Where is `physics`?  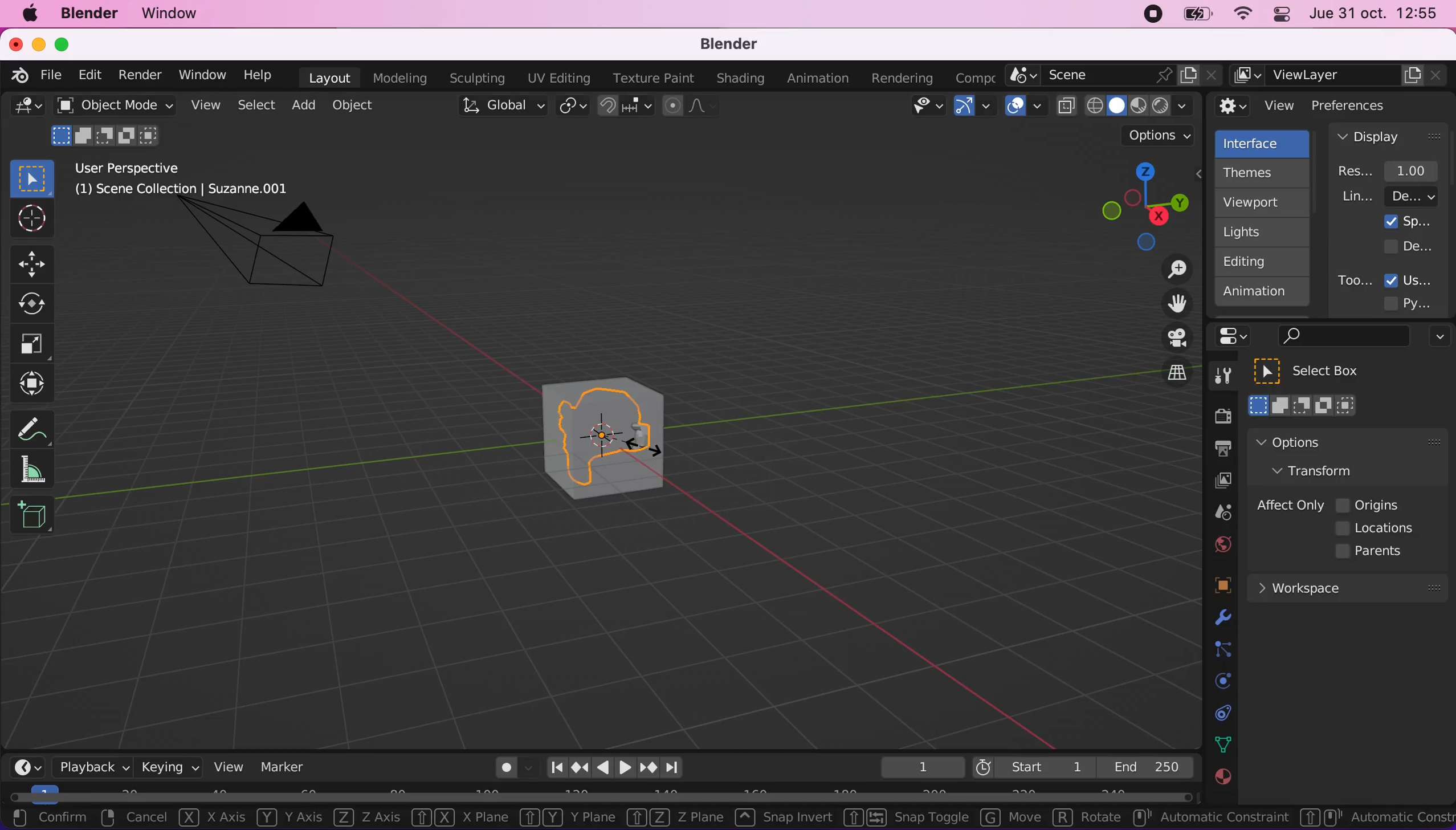
physics is located at coordinates (1220, 619).